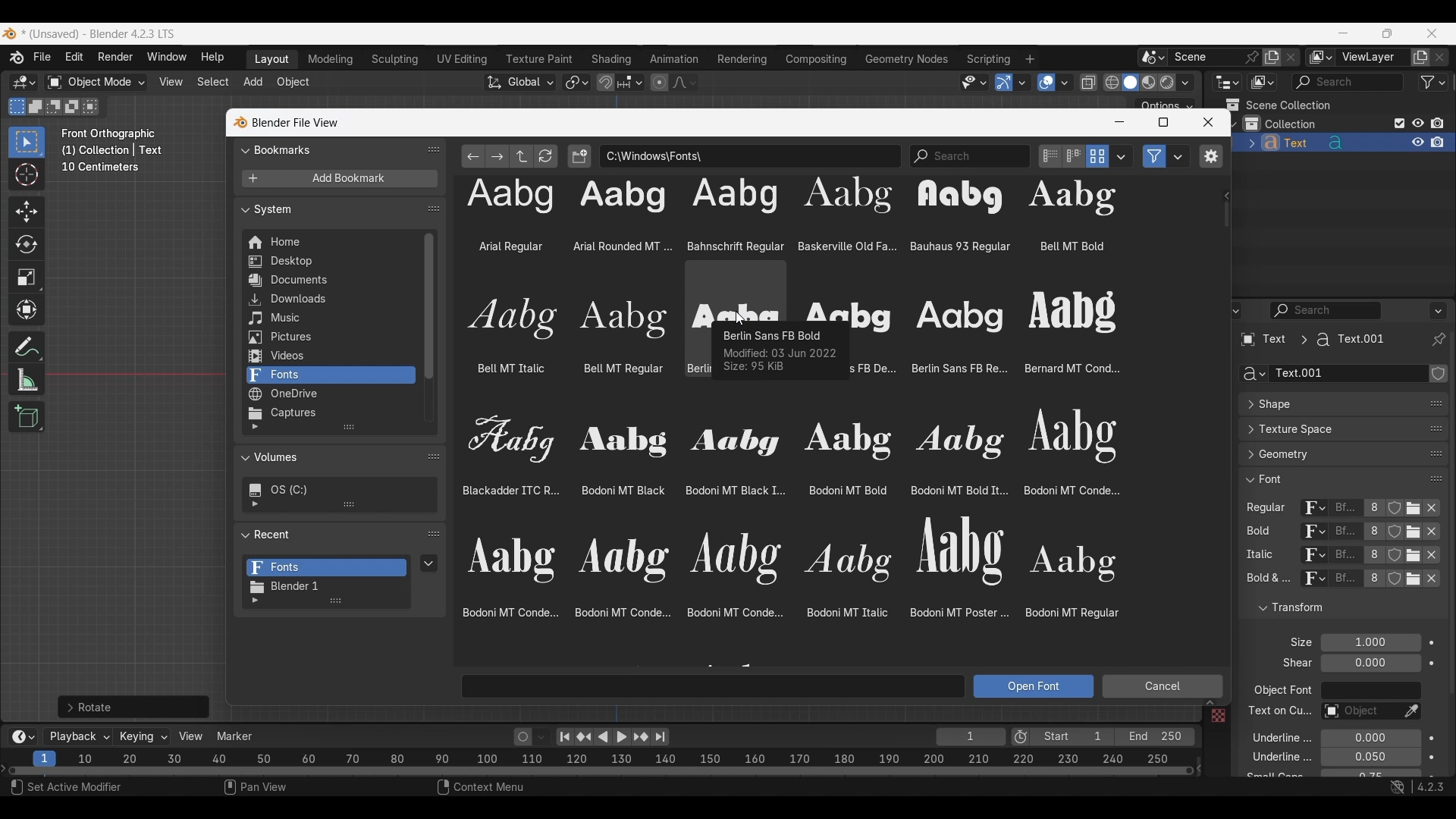 The image size is (1456, 819). What do you see at coordinates (325, 587) in the screenshot?
I see `Blender 1 folder` at bounding box center [325, 587].